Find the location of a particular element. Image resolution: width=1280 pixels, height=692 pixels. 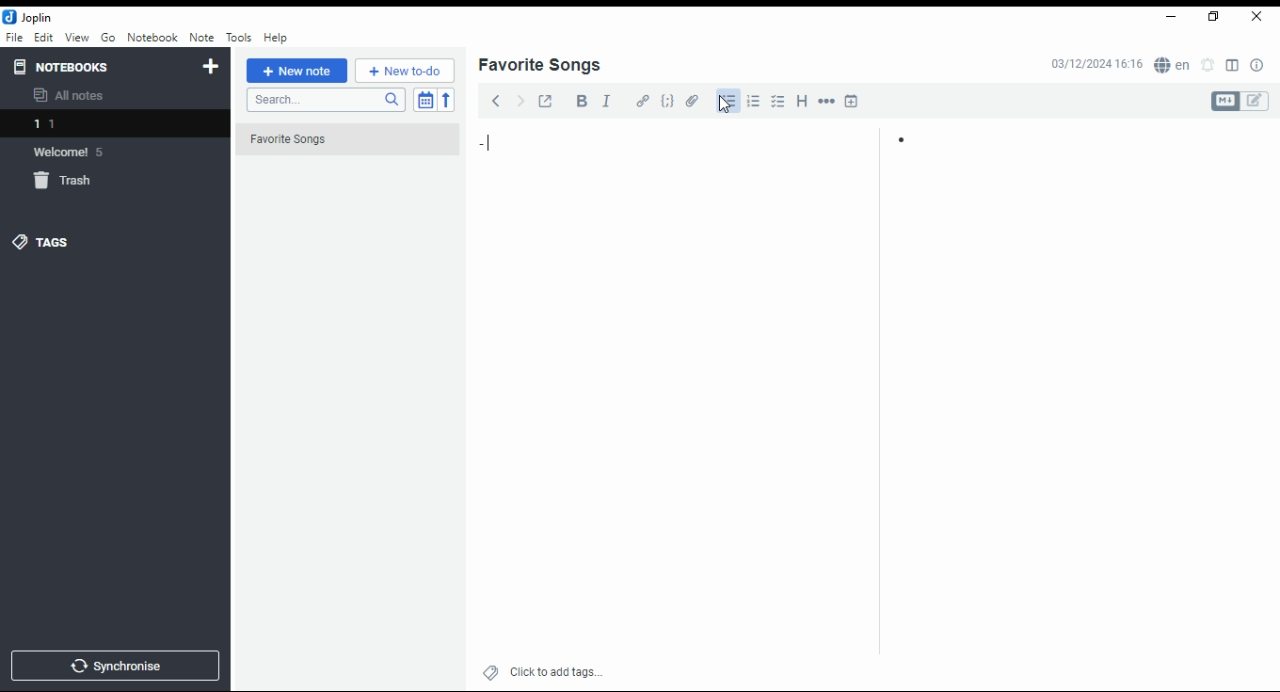

list name is located at coordinates (539, 66).